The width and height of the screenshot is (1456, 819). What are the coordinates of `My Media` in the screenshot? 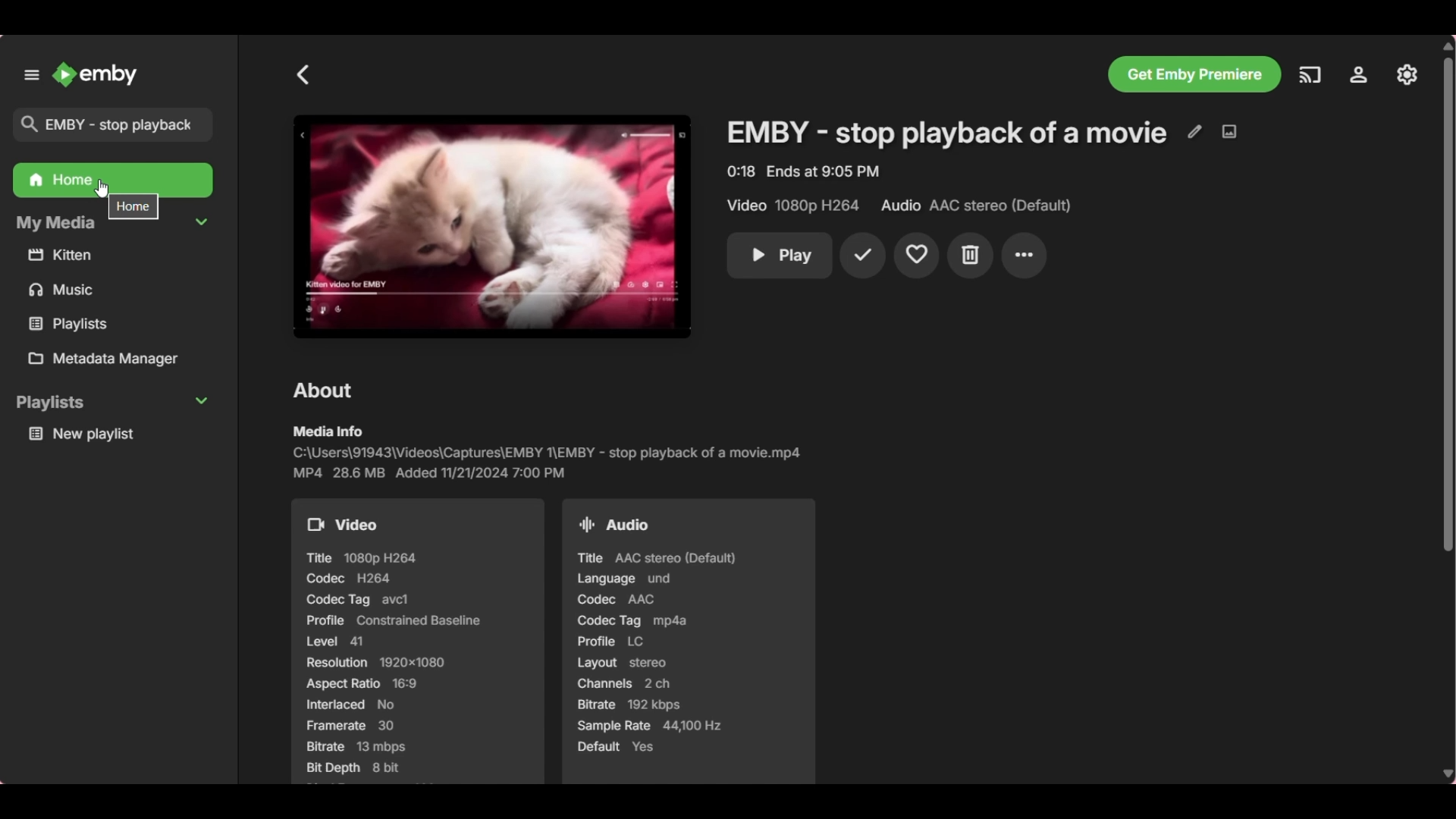 It's located at (111, 224).